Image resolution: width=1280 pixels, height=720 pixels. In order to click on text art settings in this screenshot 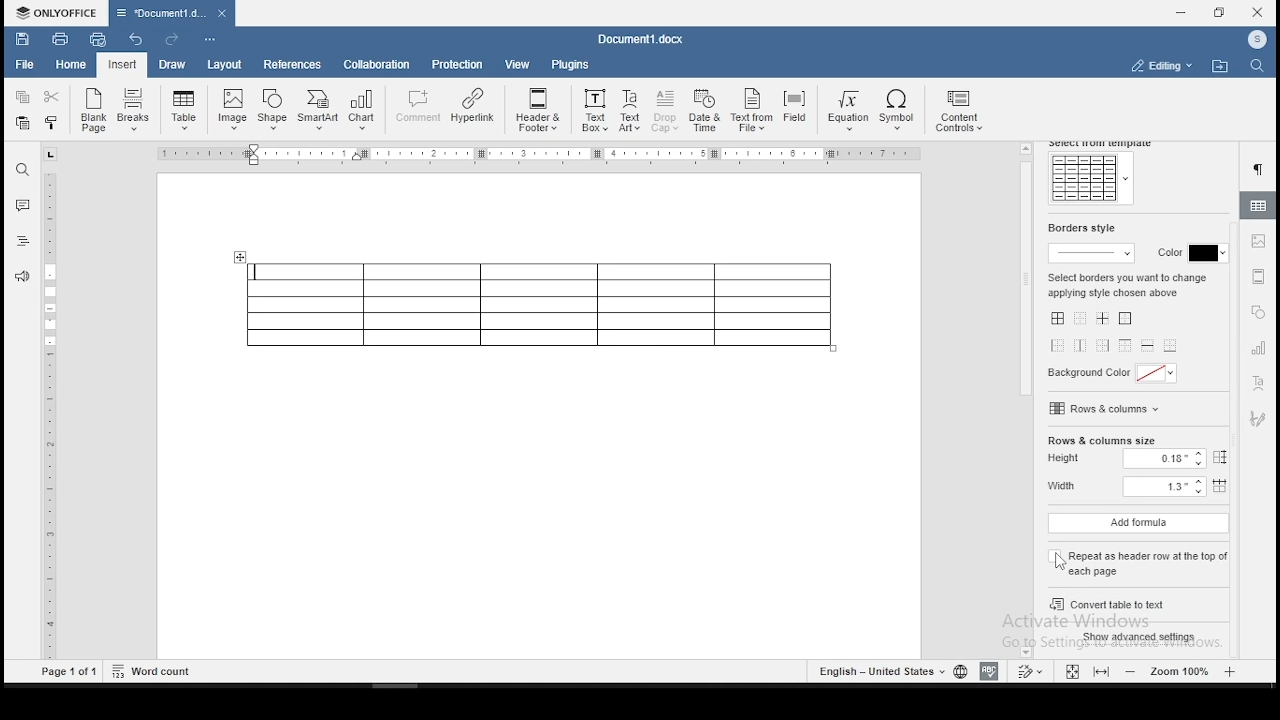, I will do `click(1258, 385)`.